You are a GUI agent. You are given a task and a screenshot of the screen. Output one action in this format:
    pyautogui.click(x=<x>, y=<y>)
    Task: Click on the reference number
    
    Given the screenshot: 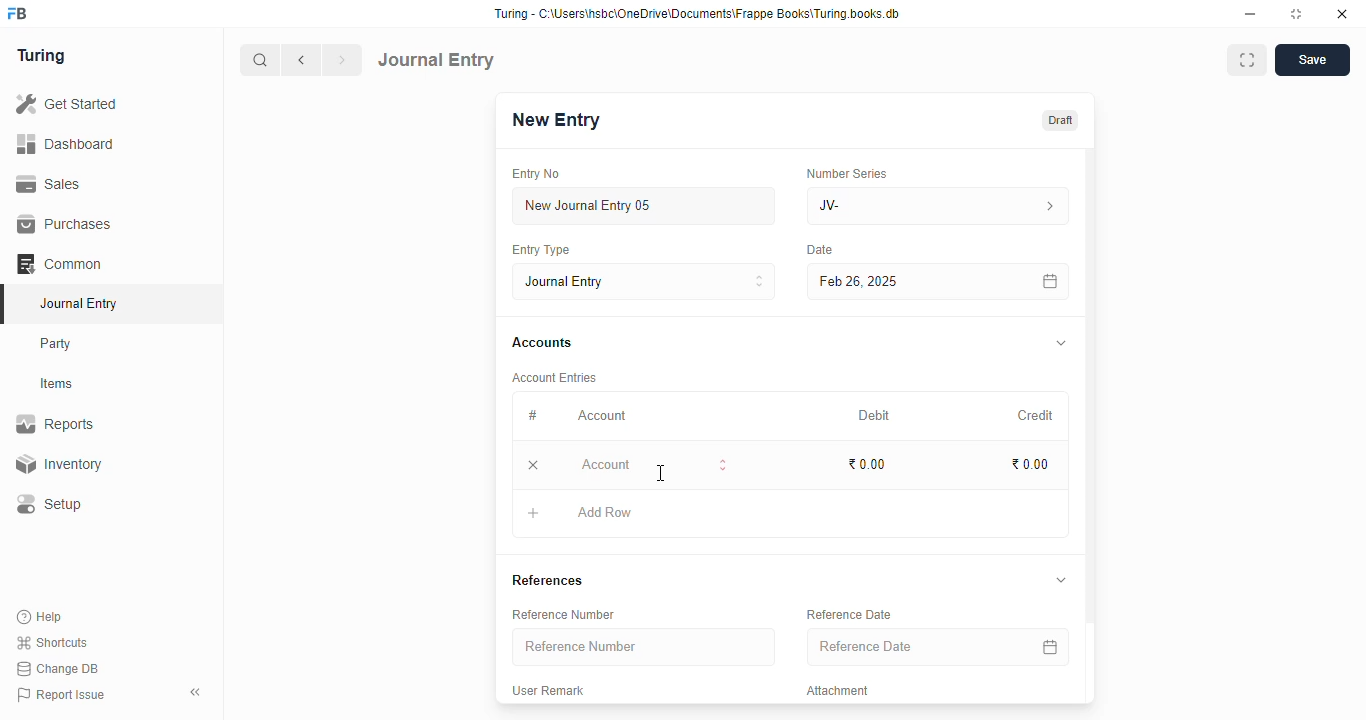 What is the action you would take?
    pyautogui.click(x=563, y=614)
    